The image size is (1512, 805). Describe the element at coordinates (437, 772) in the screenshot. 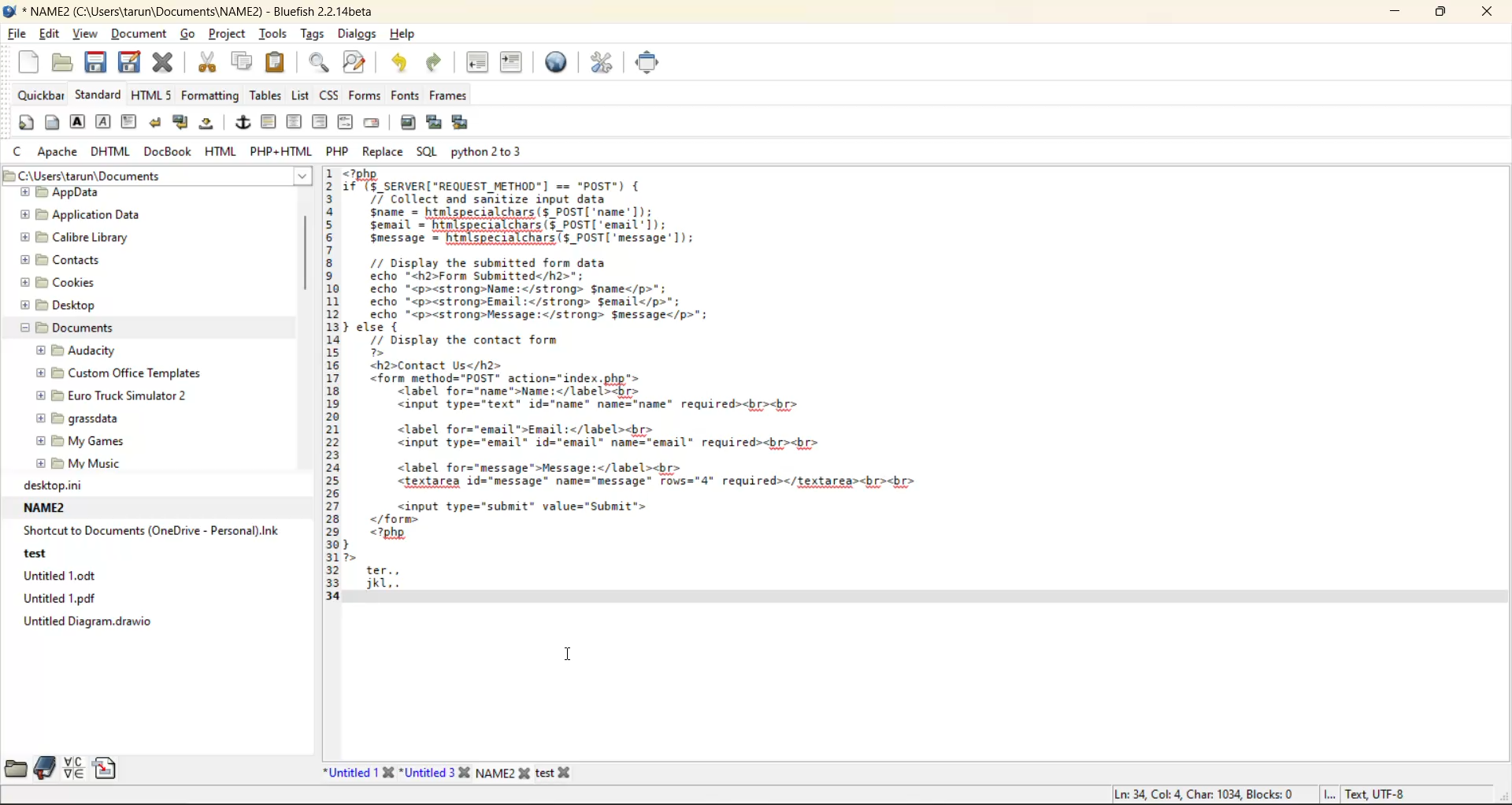

I see `Untitled 3` at that location.